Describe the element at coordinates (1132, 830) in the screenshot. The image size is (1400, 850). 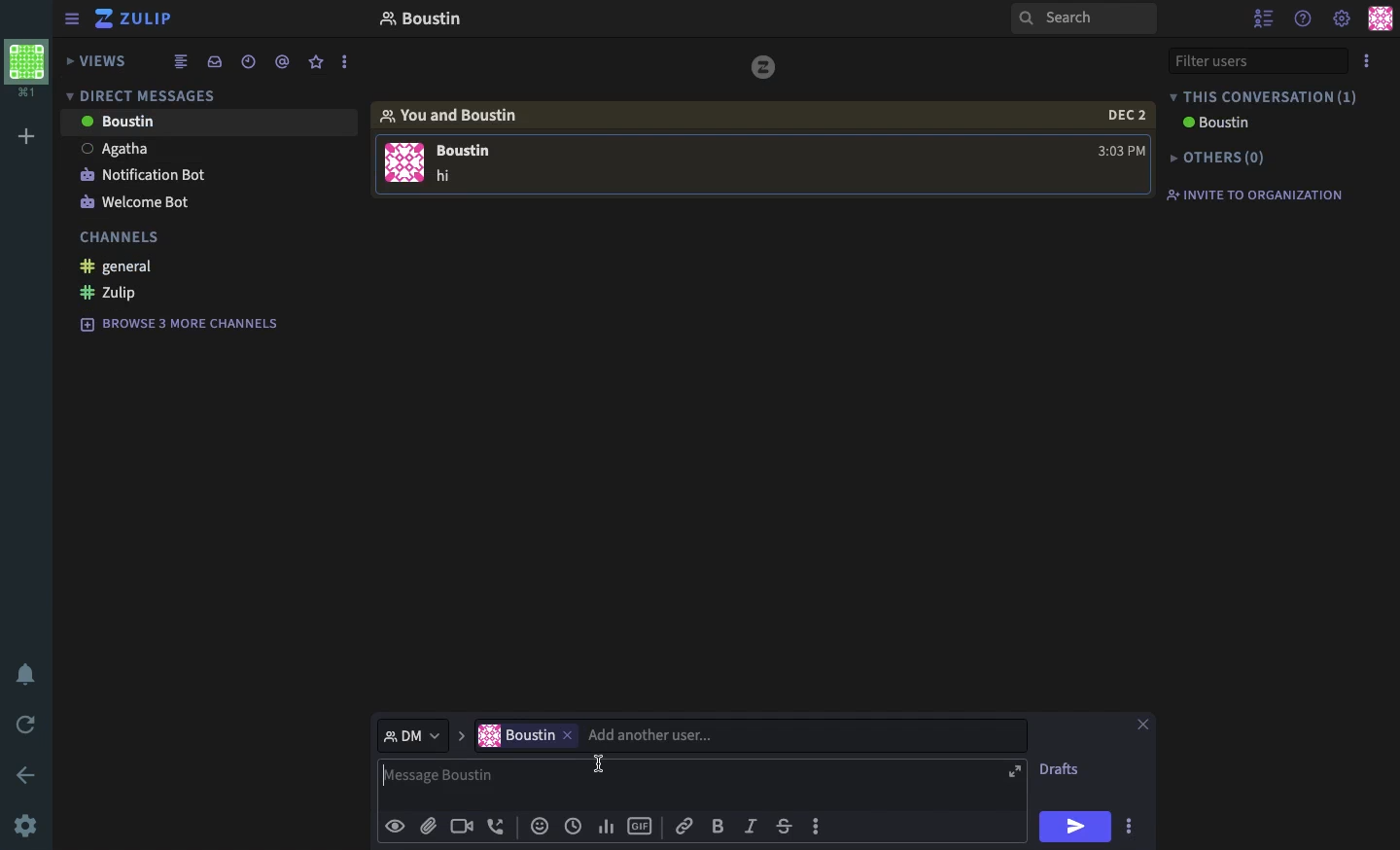
I see `click` at that location.